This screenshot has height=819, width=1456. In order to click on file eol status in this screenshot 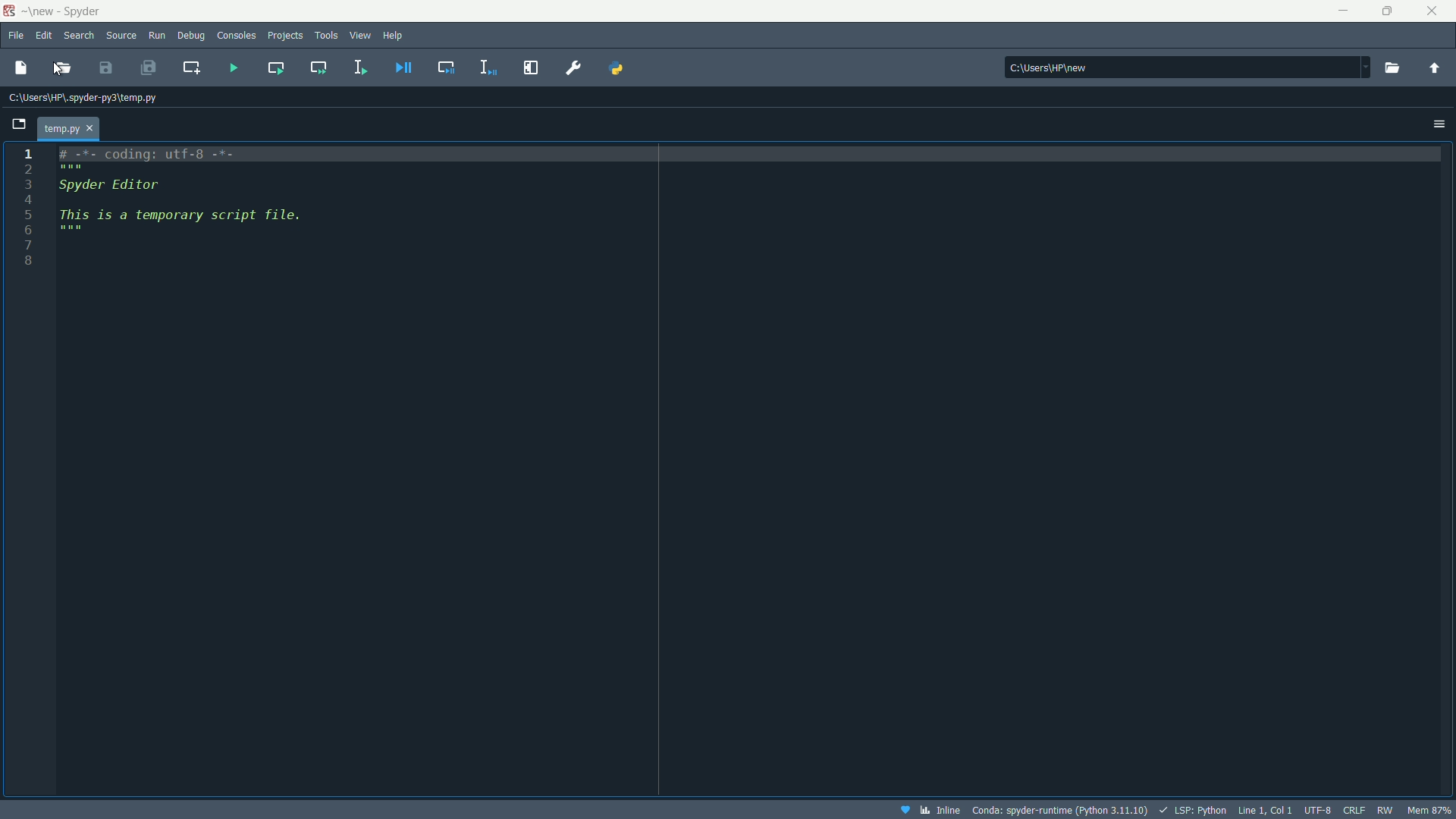, I will do `click(1355, 811)`.